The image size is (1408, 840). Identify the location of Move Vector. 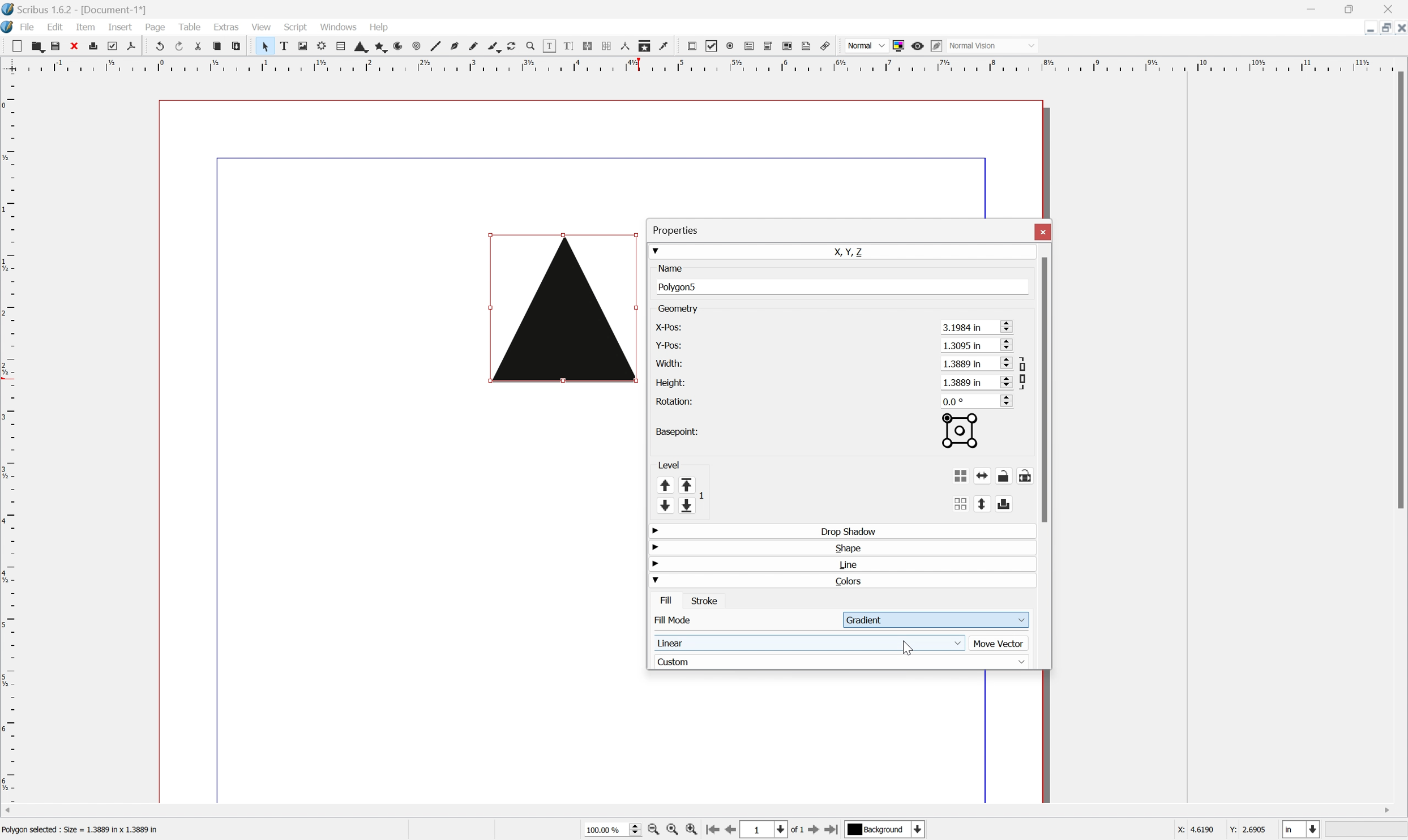
(998, 643).